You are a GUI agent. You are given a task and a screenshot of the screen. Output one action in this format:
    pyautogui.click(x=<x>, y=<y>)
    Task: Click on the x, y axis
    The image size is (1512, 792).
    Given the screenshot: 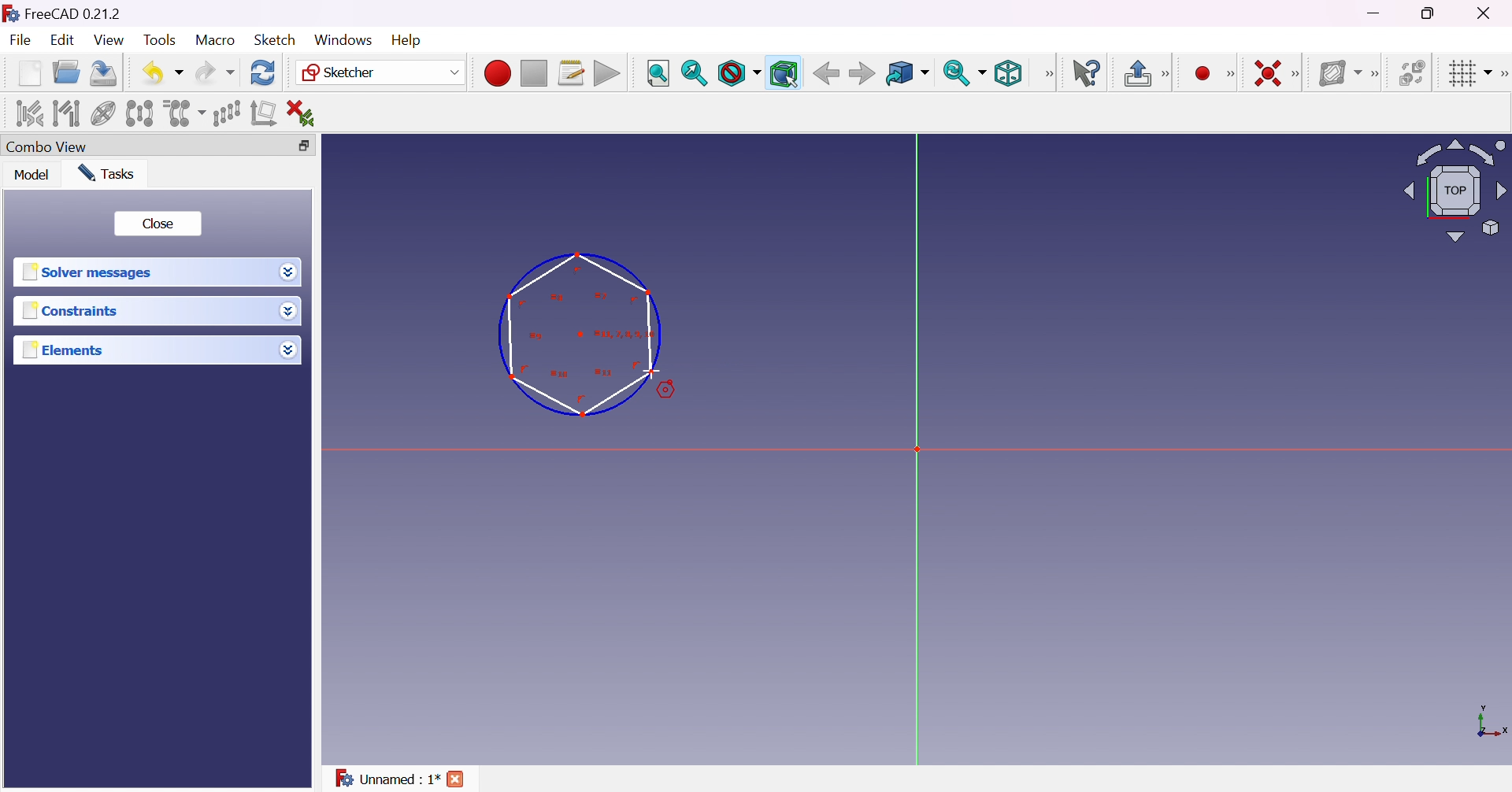 What is the action you would take?
    pyautogui.click(x=1489, y=724)
    